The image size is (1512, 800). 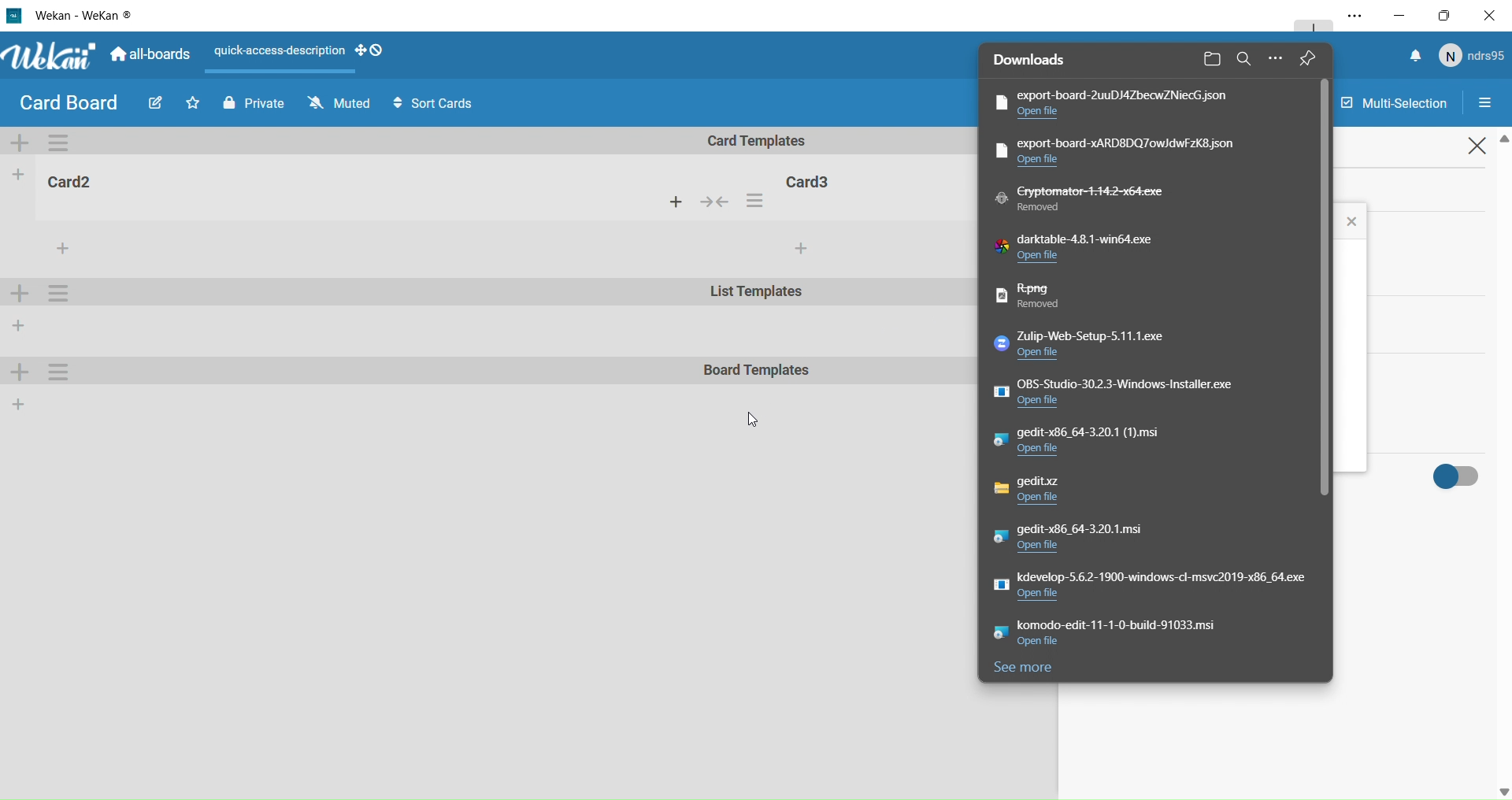 What do you see at coordinates (79, 17) in the screenshot?
I see `` at bounding box center [79, 17].